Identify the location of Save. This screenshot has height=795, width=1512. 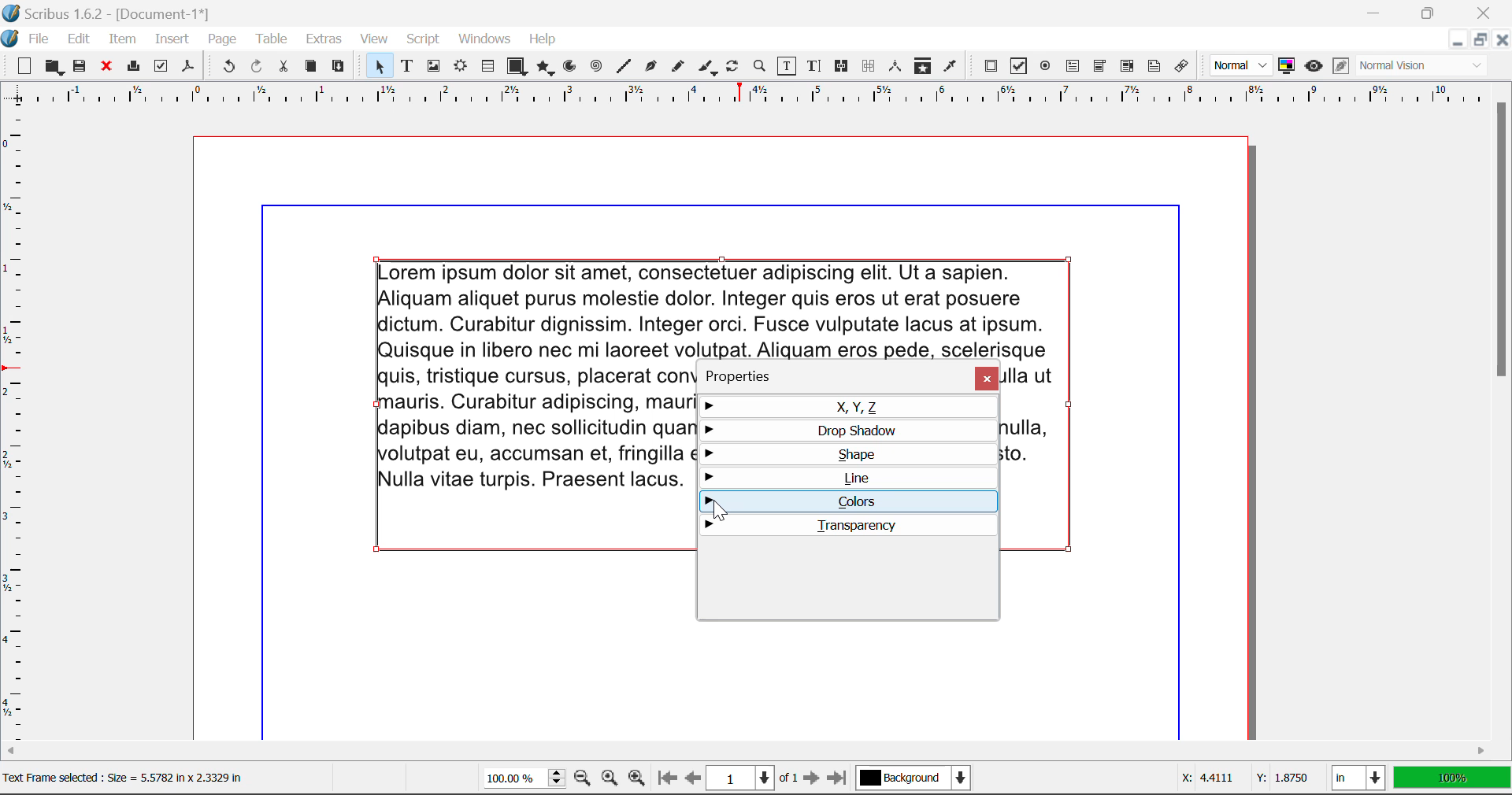
(81, 67).